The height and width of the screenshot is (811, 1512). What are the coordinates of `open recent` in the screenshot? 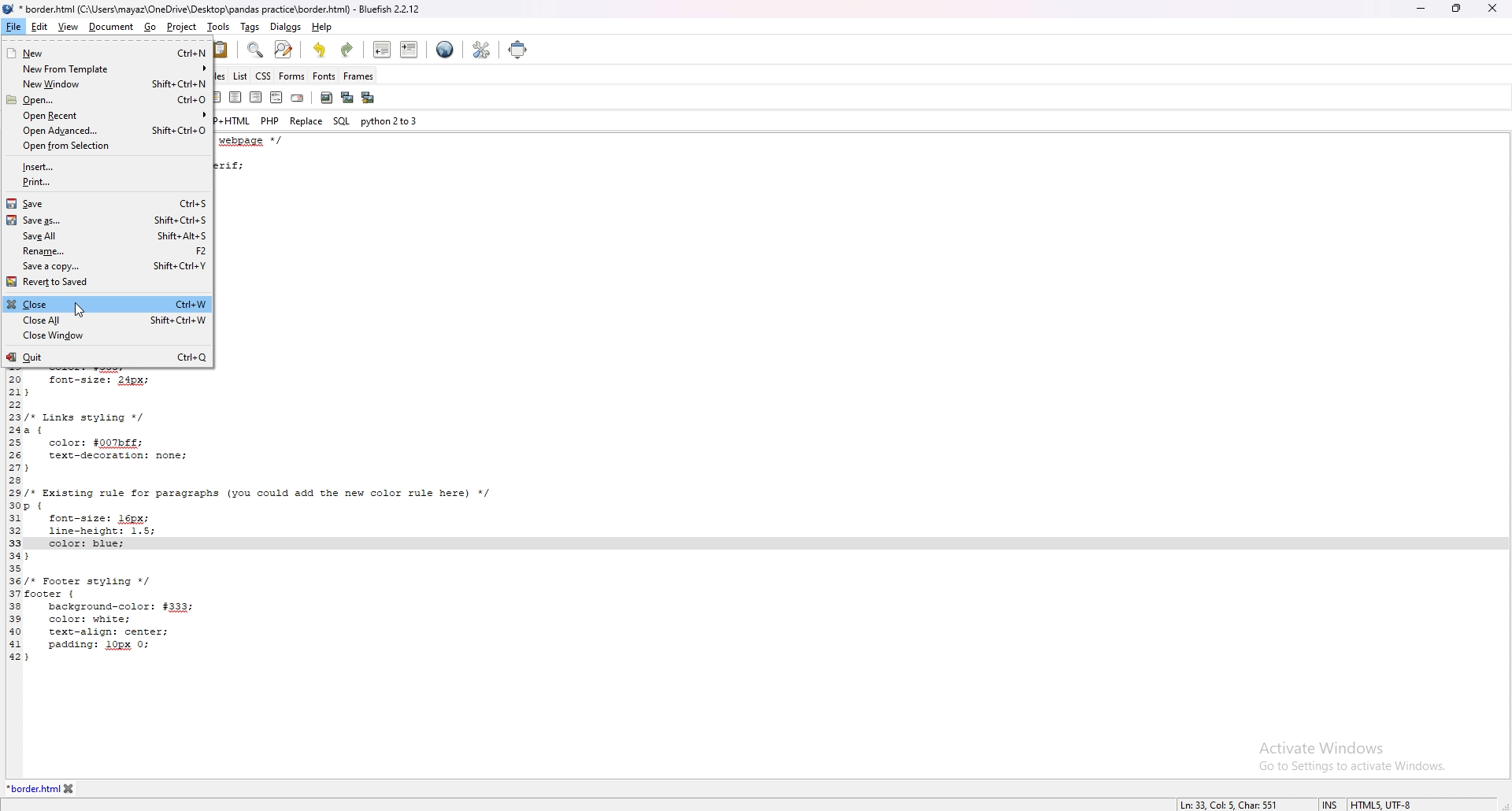 It's located at (108, 116).